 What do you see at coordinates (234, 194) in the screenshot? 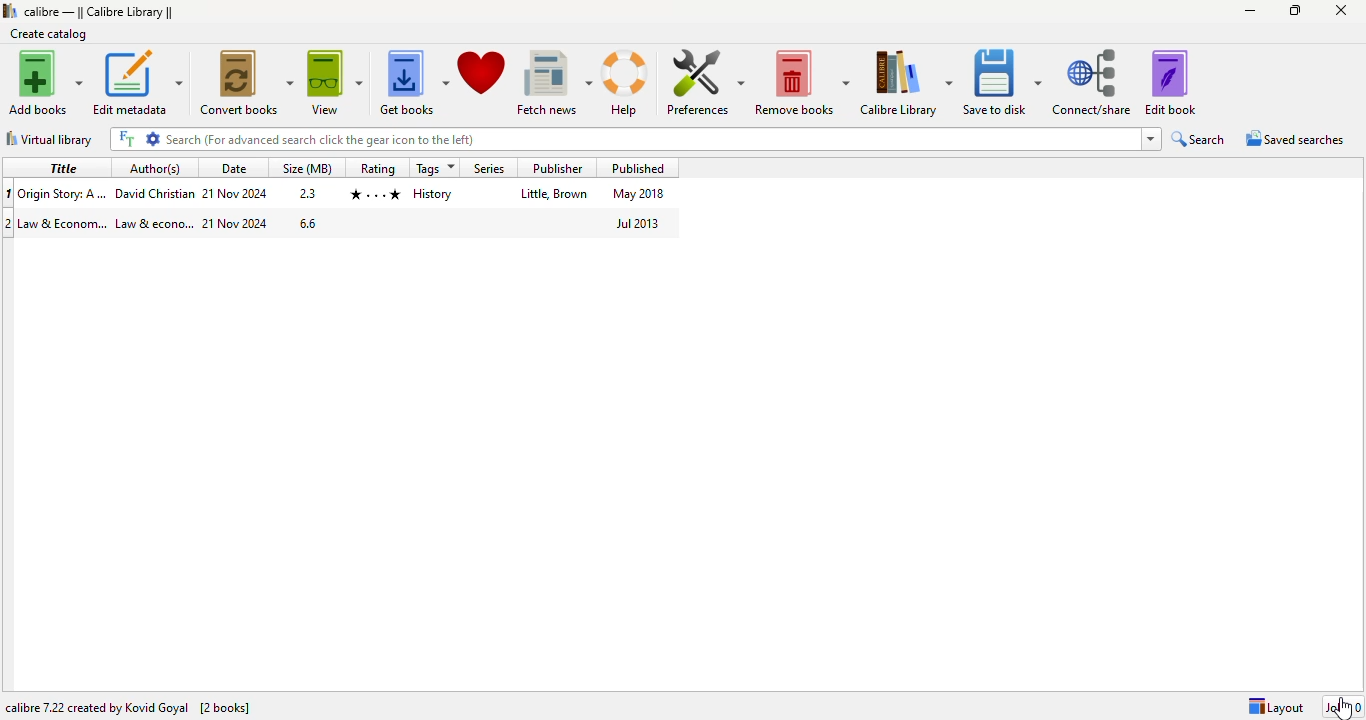
I see `date` at bounding box center [234, 194].